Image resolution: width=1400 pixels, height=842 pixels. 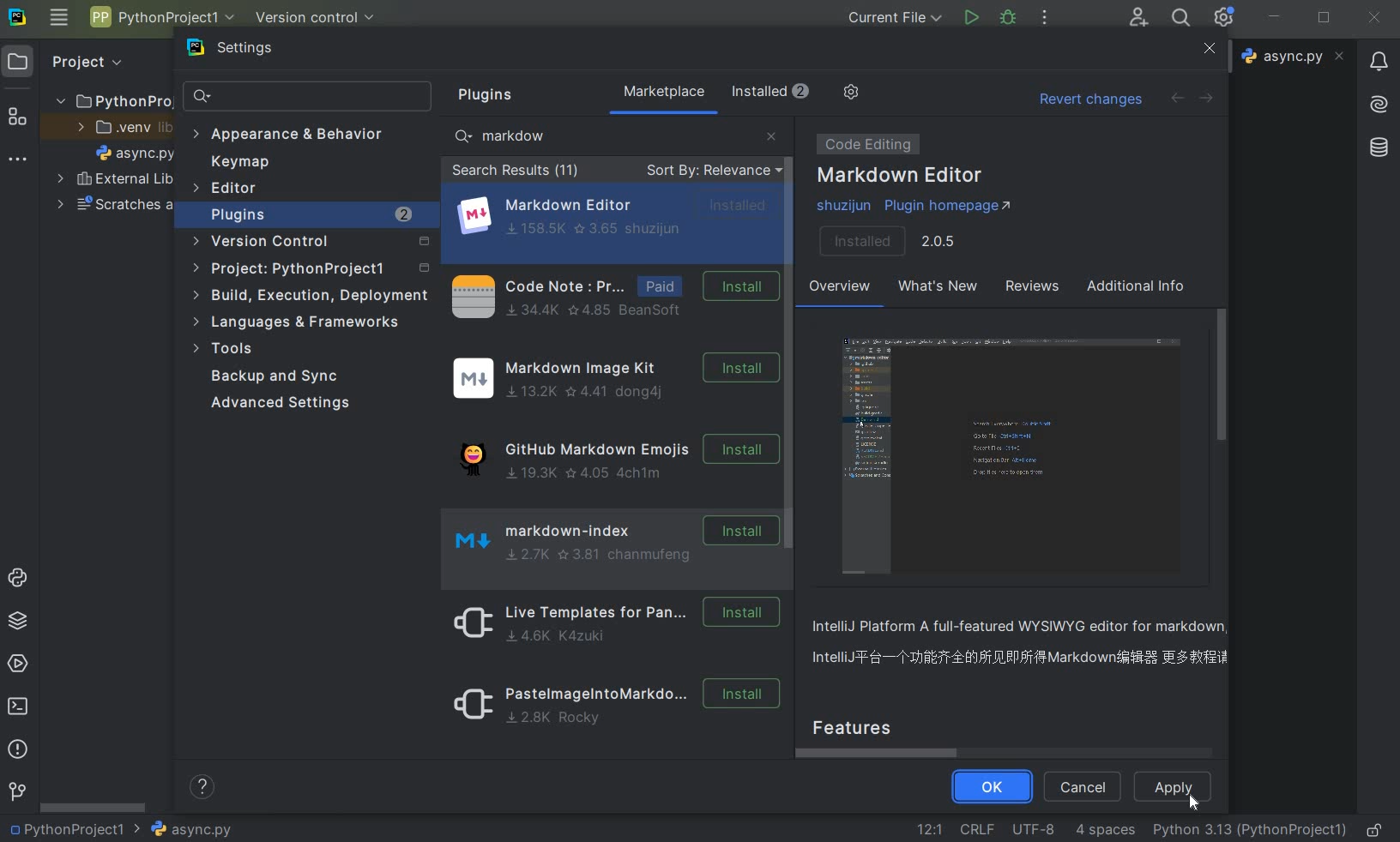 What do you see at coordinates (936, 289) in the screenshot?
I see `what's new` at bounding box center [936, 289].